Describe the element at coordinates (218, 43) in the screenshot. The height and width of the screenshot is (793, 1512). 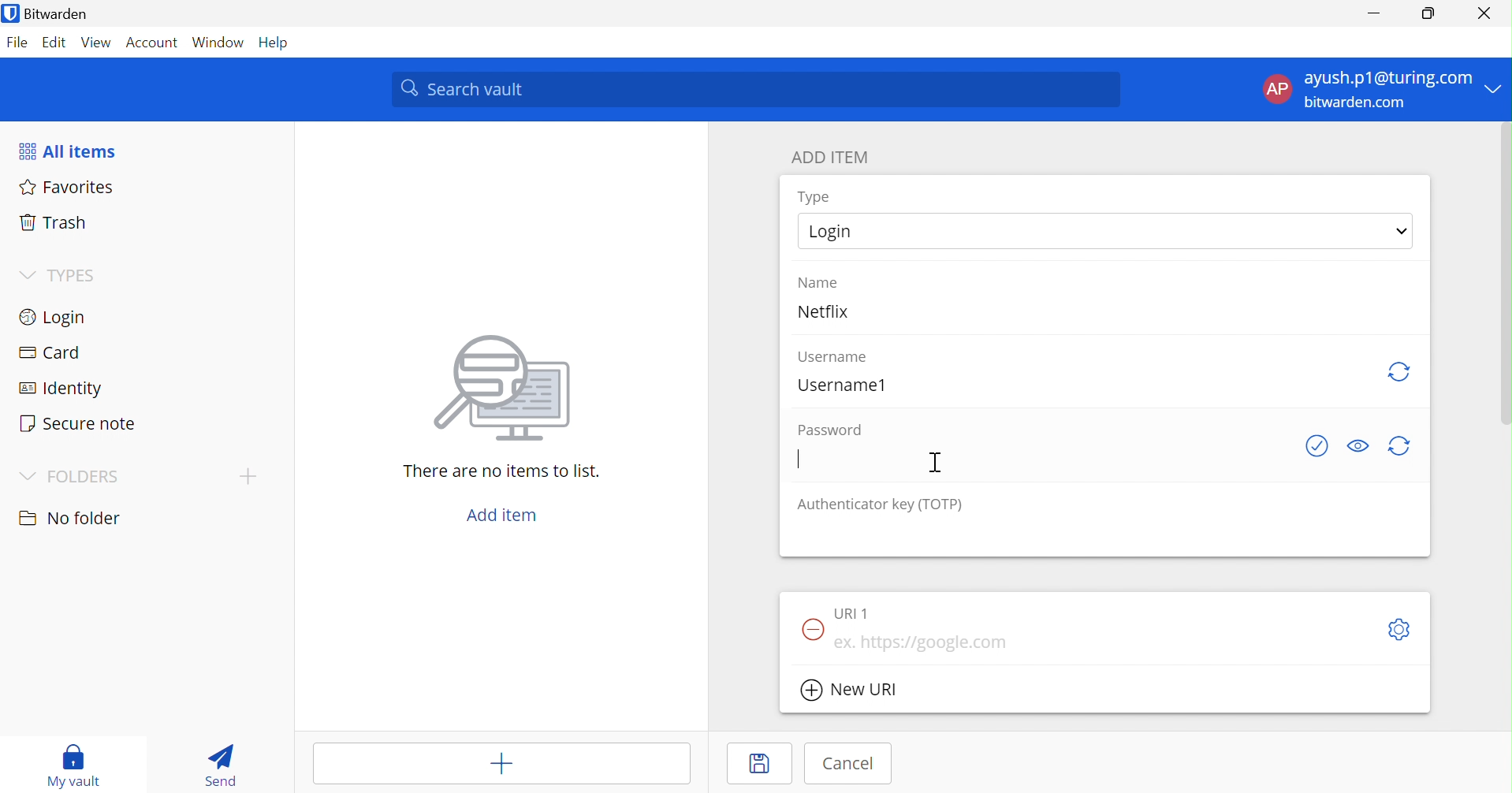
I see `Window` at that location.